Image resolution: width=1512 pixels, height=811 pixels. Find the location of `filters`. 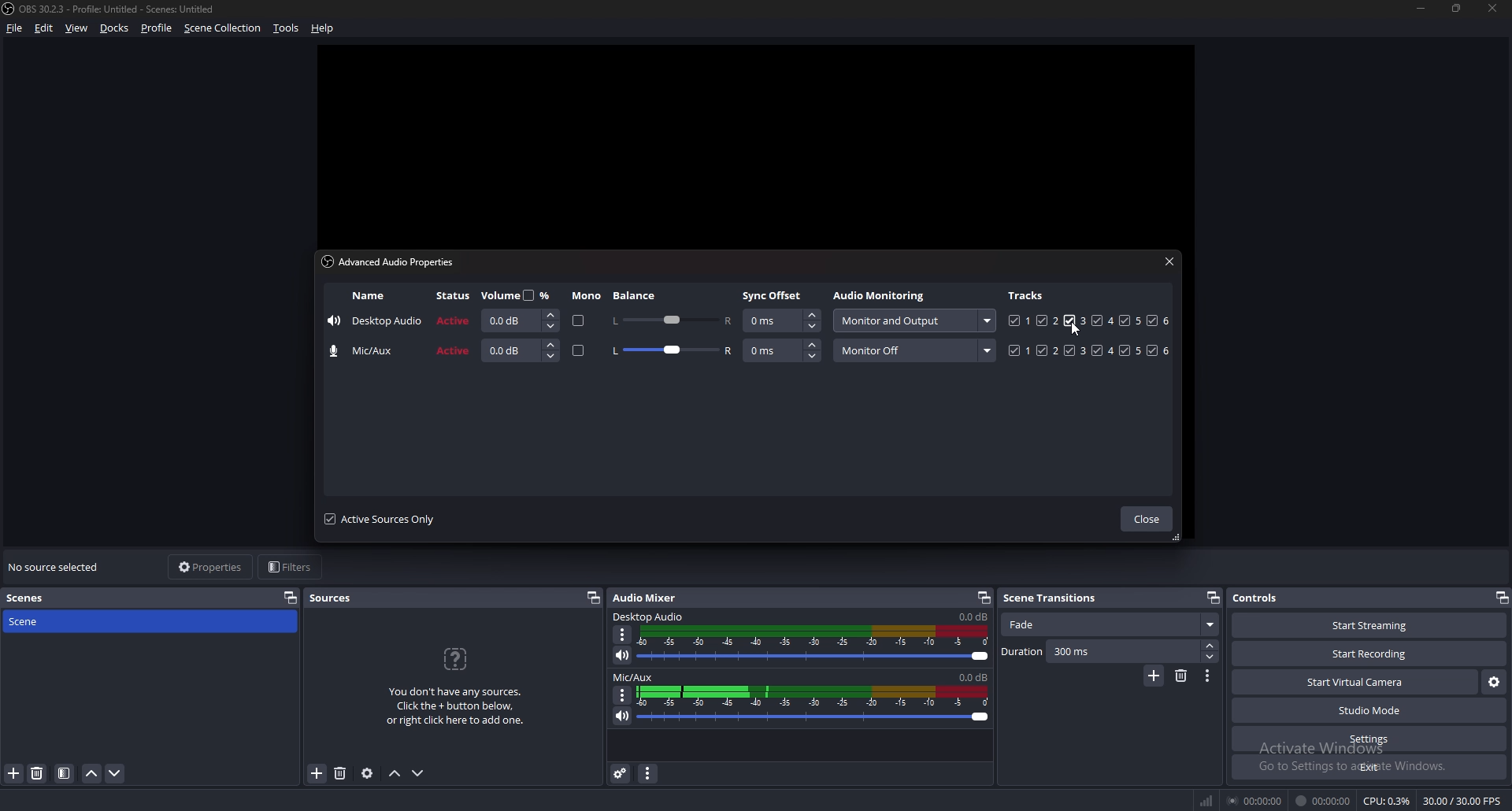

filters is located at coordinates (293, 567).